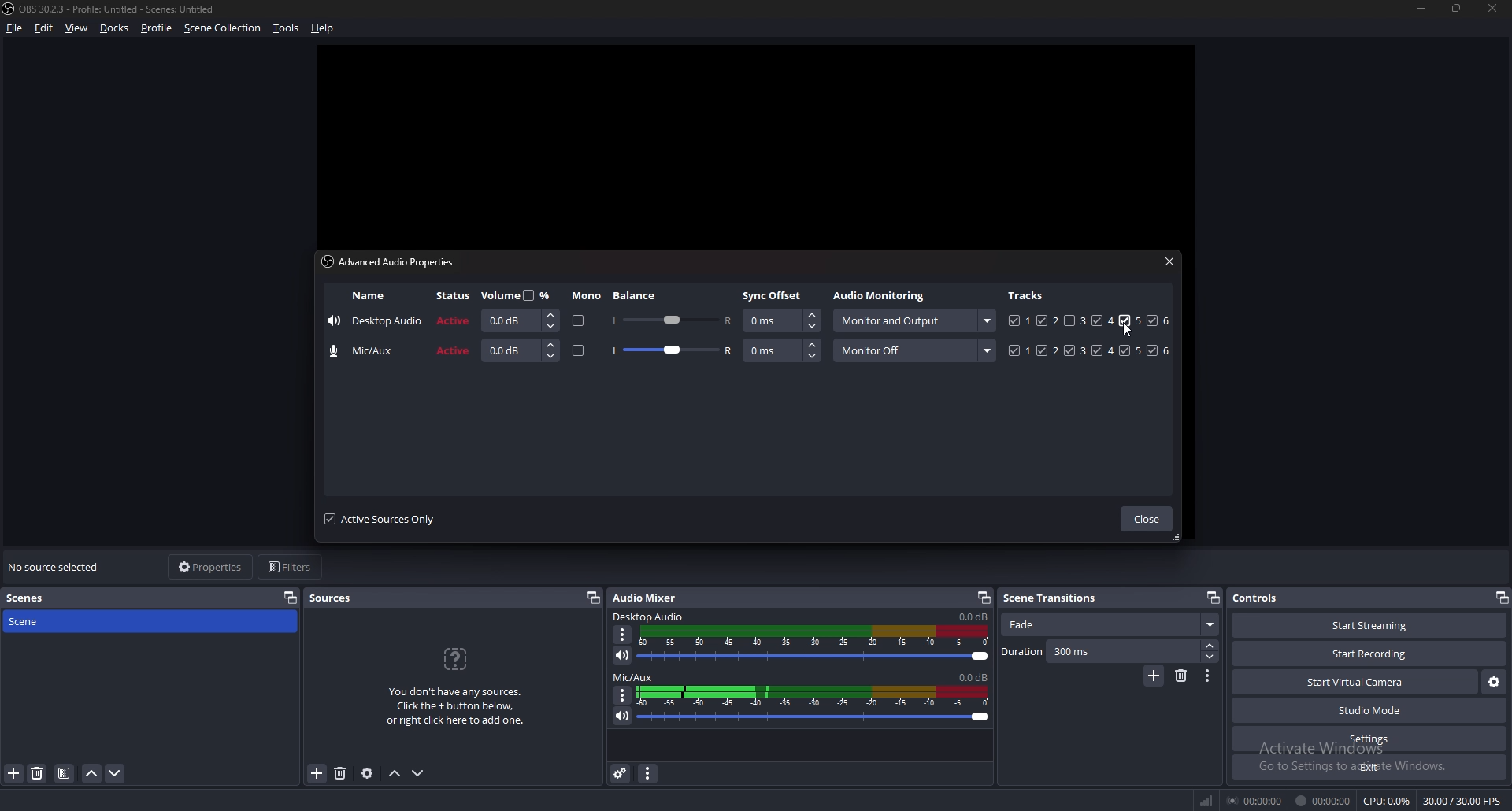 This screenshot has width=1512, height=811. What do you see at coordinates (671, 319) in the screenshot?
I see `balance adjust` at bounding box center [671, 319].